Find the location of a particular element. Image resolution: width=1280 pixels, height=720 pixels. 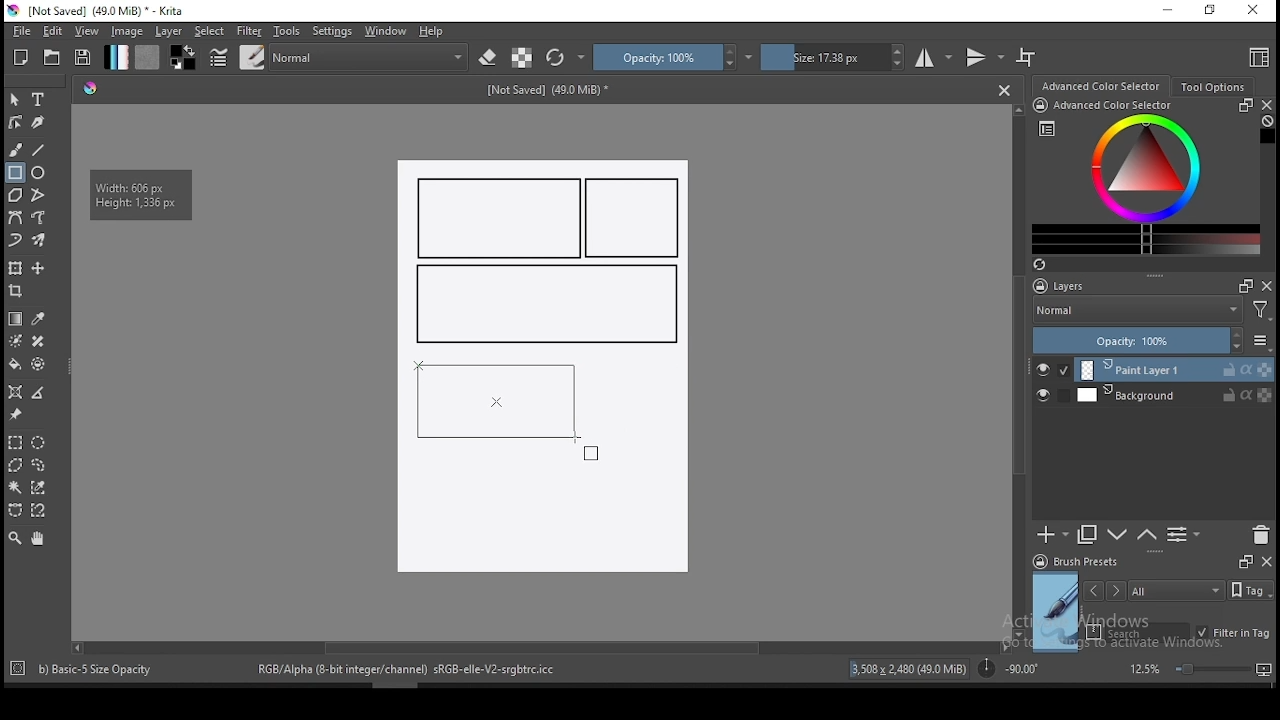

reload original preset is located at coordinates (566, 57).